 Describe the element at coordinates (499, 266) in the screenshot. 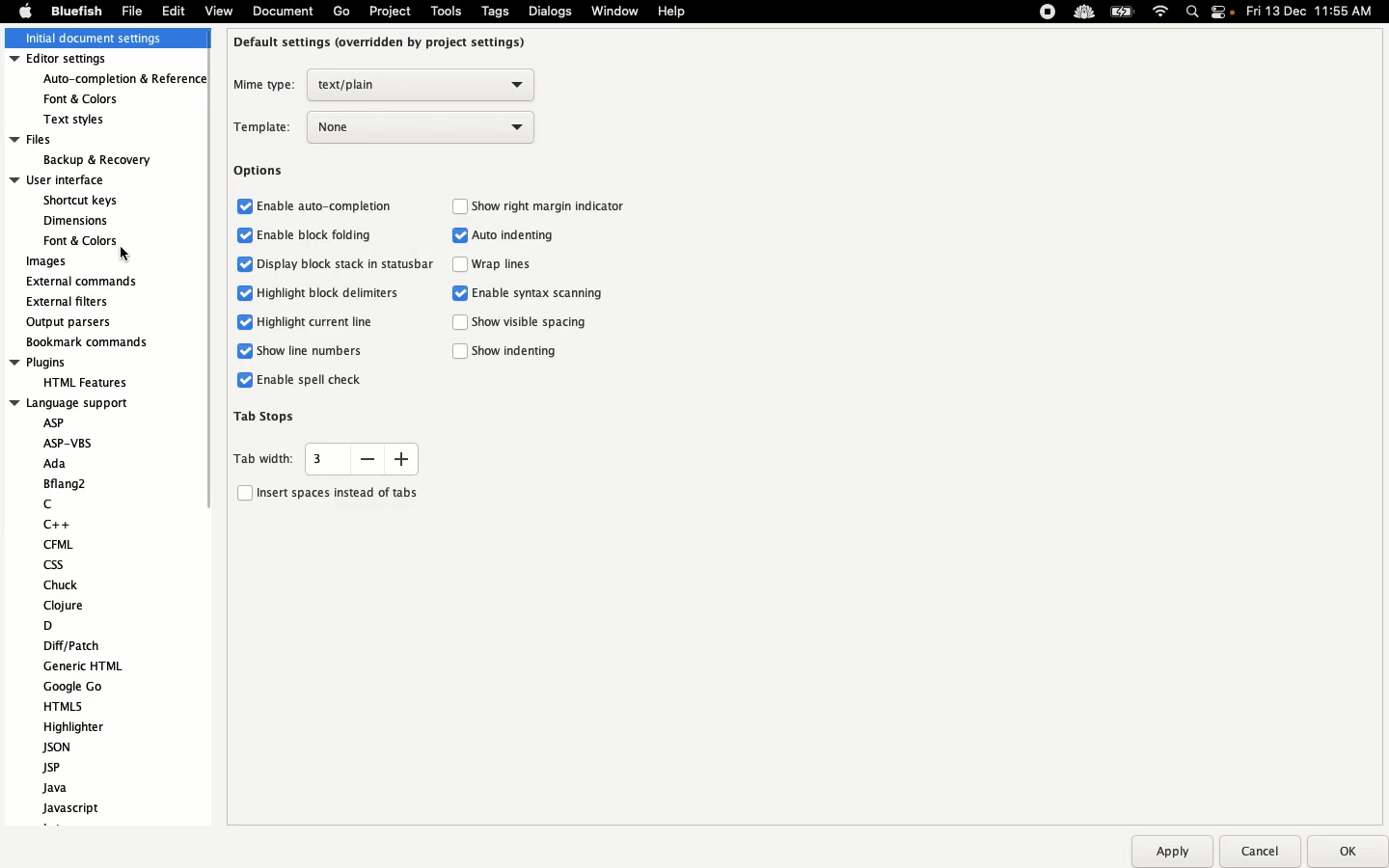

I see `Wrap lines` at that location.